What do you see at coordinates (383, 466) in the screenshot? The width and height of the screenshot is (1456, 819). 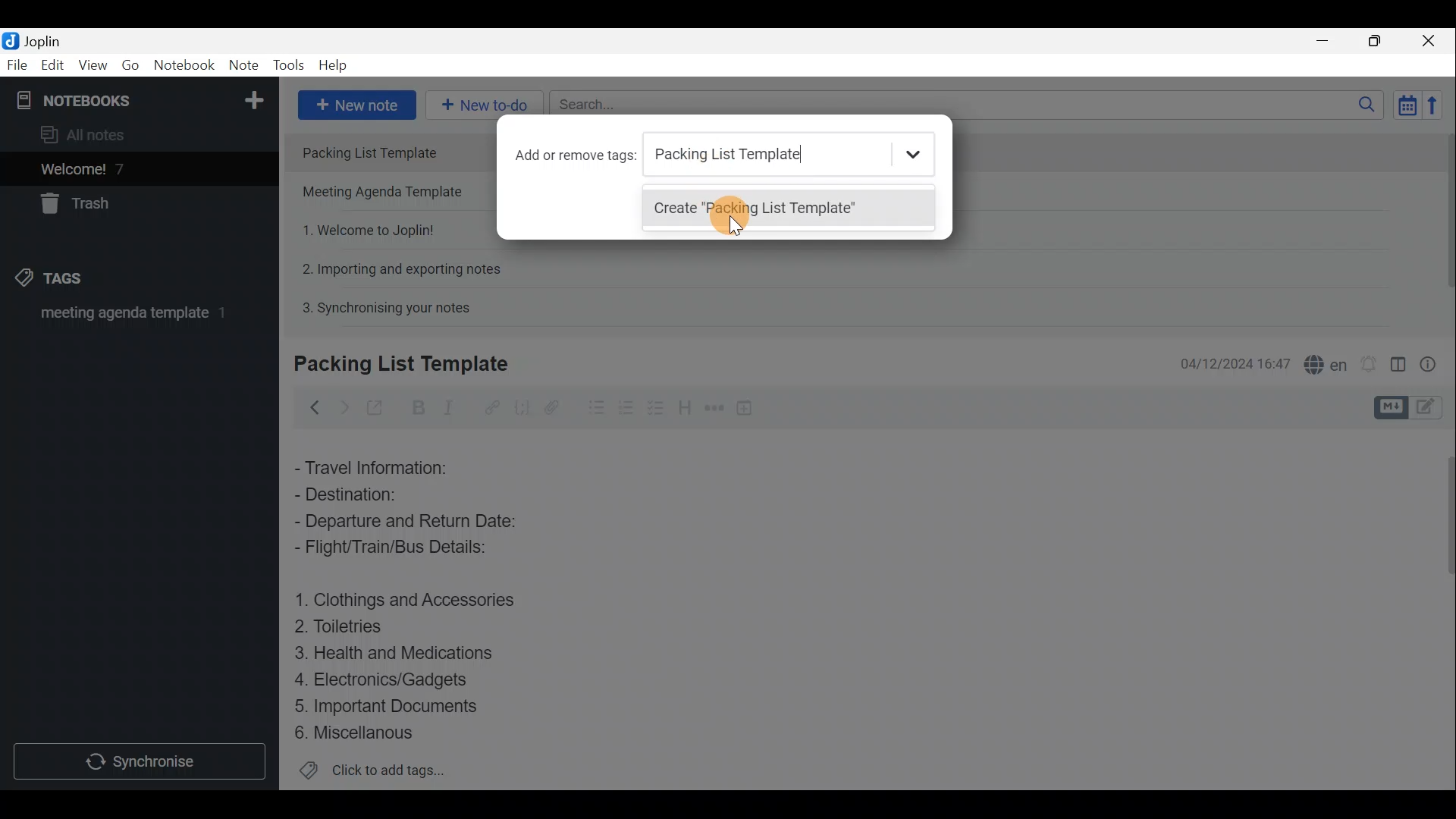 I see `Travel Information:` at bounding box center [383, 466].